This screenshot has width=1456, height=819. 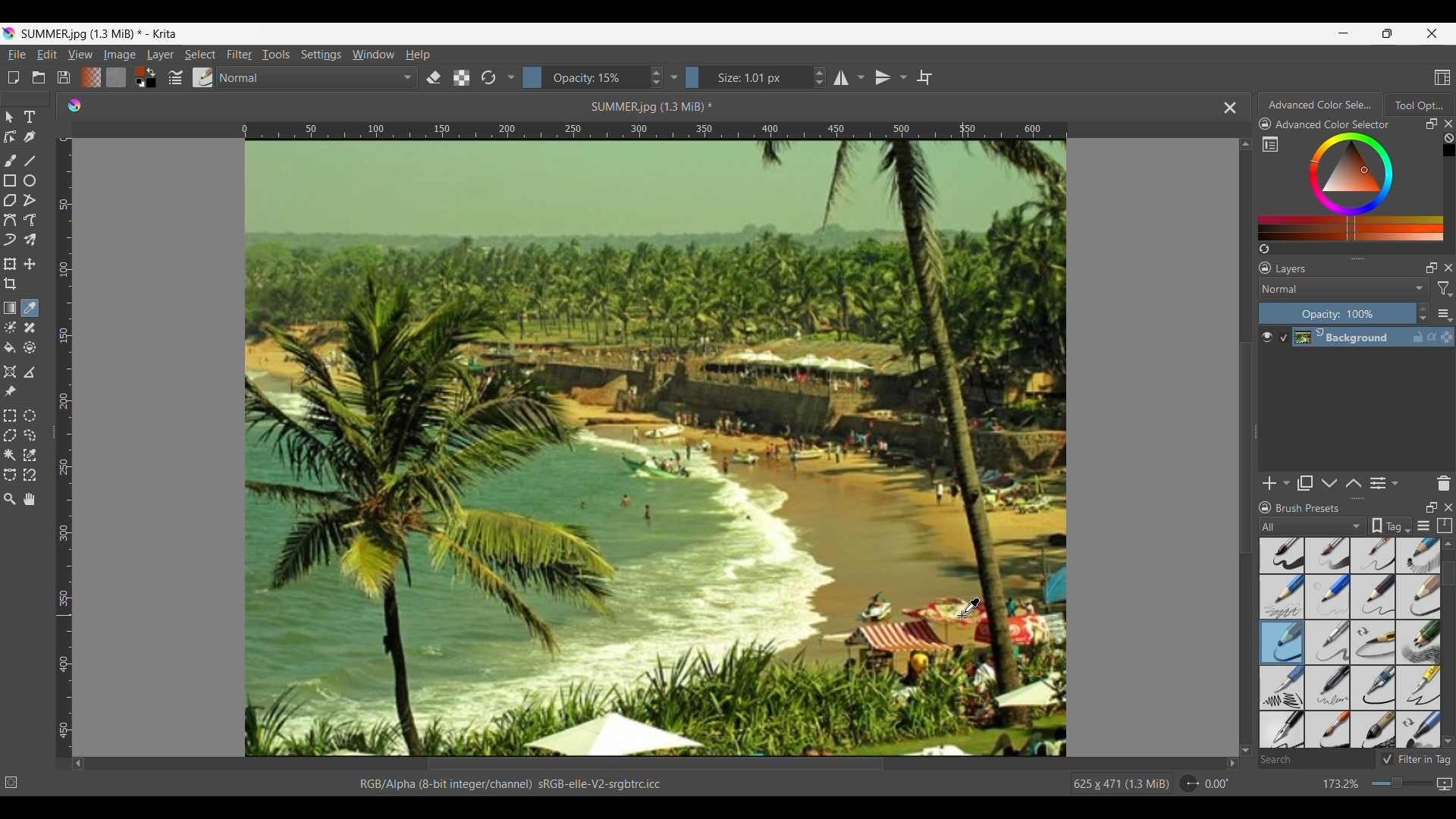 What do you see at coordinates (29, 475) in the screenshot?
I see `Magnetic curve selection tool` at bounding box center [29, 475].